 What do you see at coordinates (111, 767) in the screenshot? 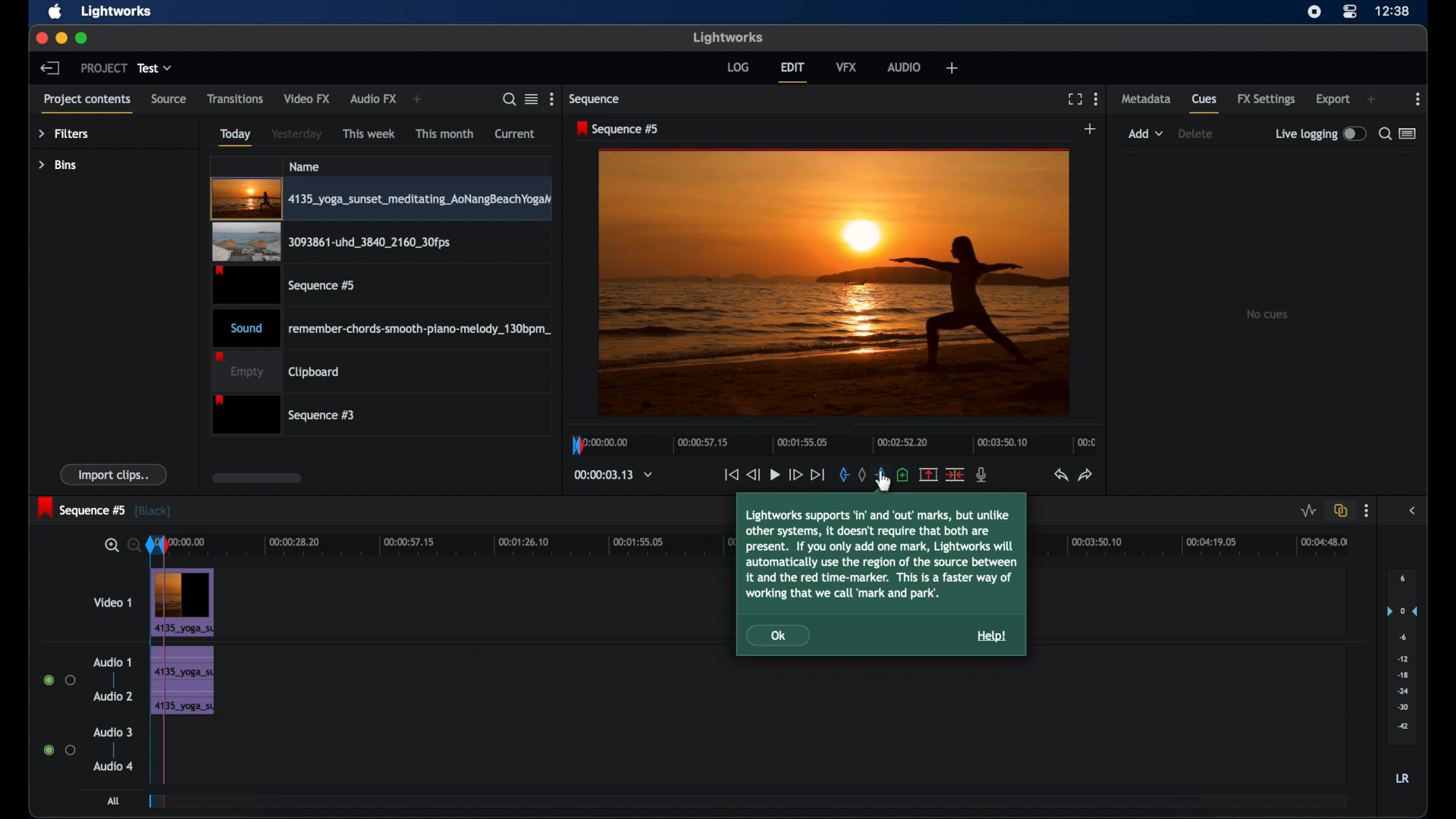
I see `audio 4` at bounding box center [111, 767].